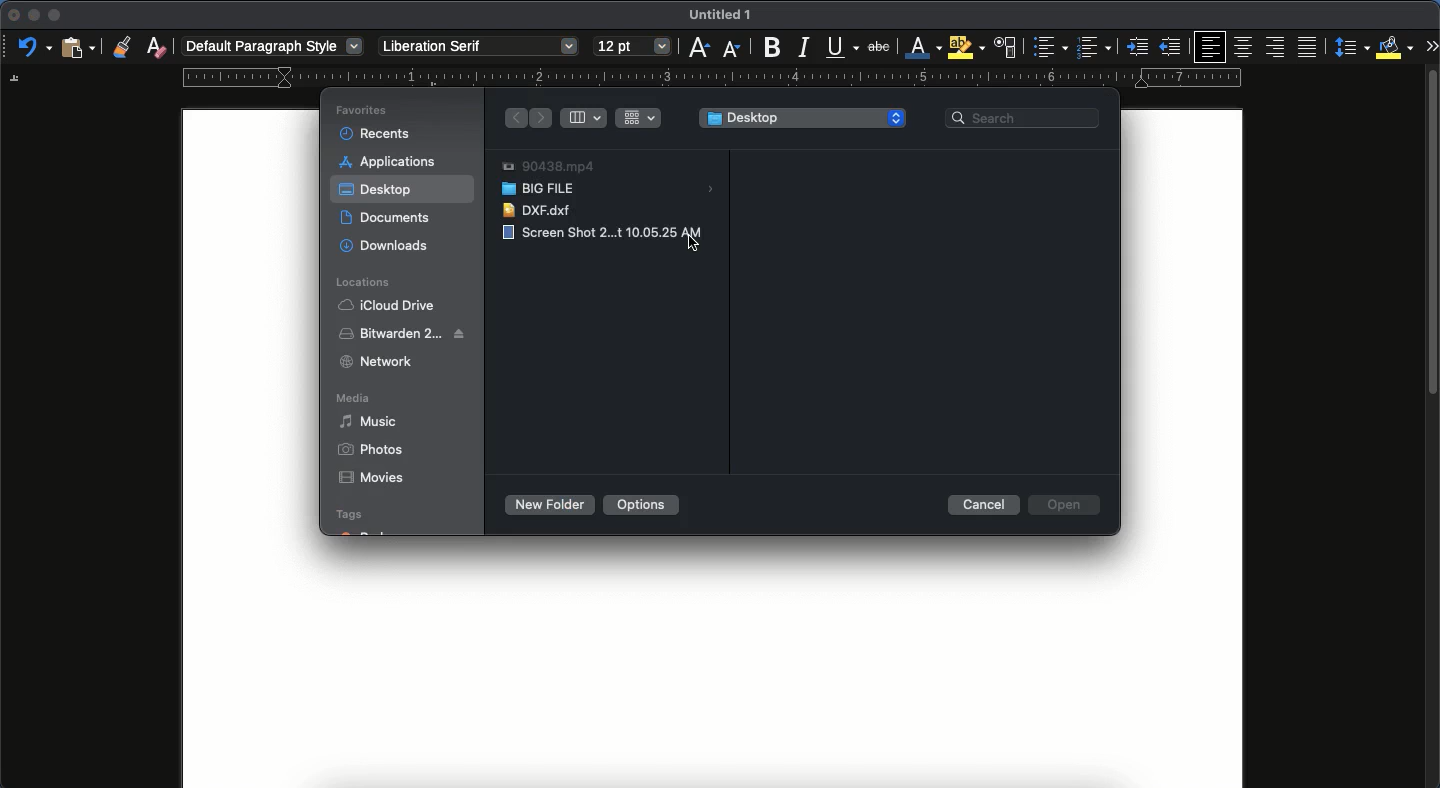 The width and height of the screenshot is (1440, 788). Describe the element at coordinates (385, 305) in the screenshot. I see `iCloud Drive` at that location.